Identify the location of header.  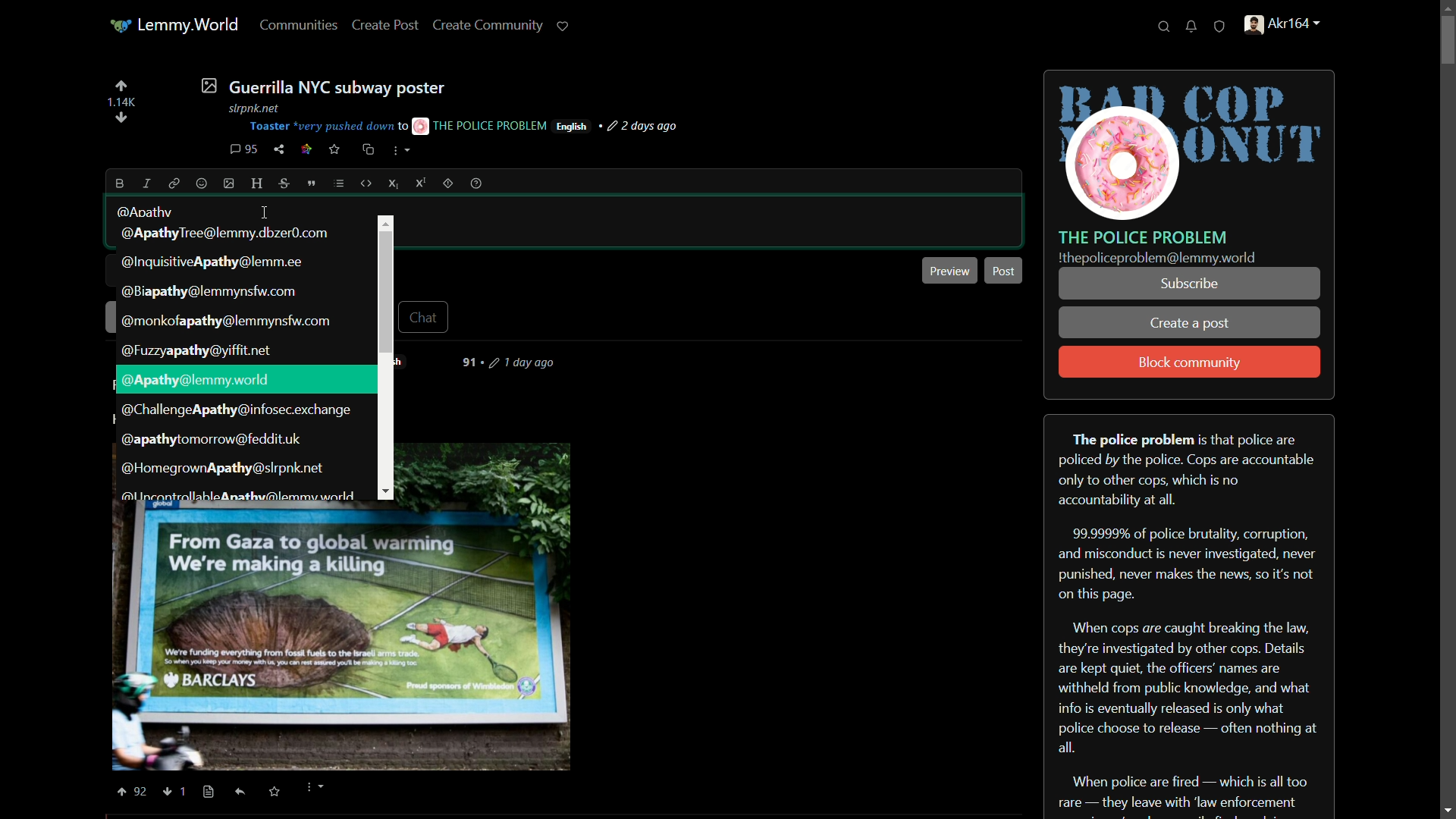
(258, 184).